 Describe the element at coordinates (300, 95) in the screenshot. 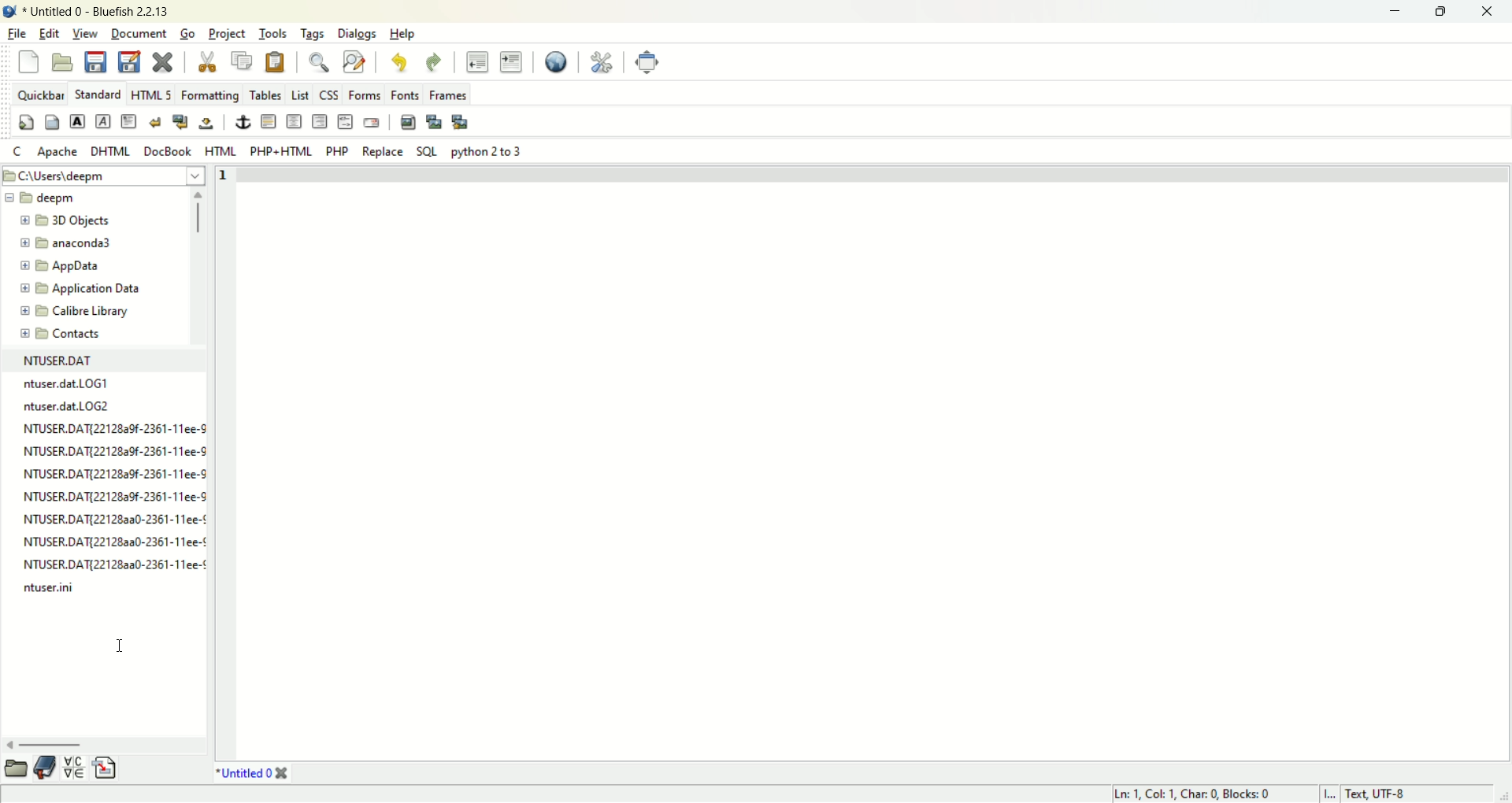

I see `list` at that location.